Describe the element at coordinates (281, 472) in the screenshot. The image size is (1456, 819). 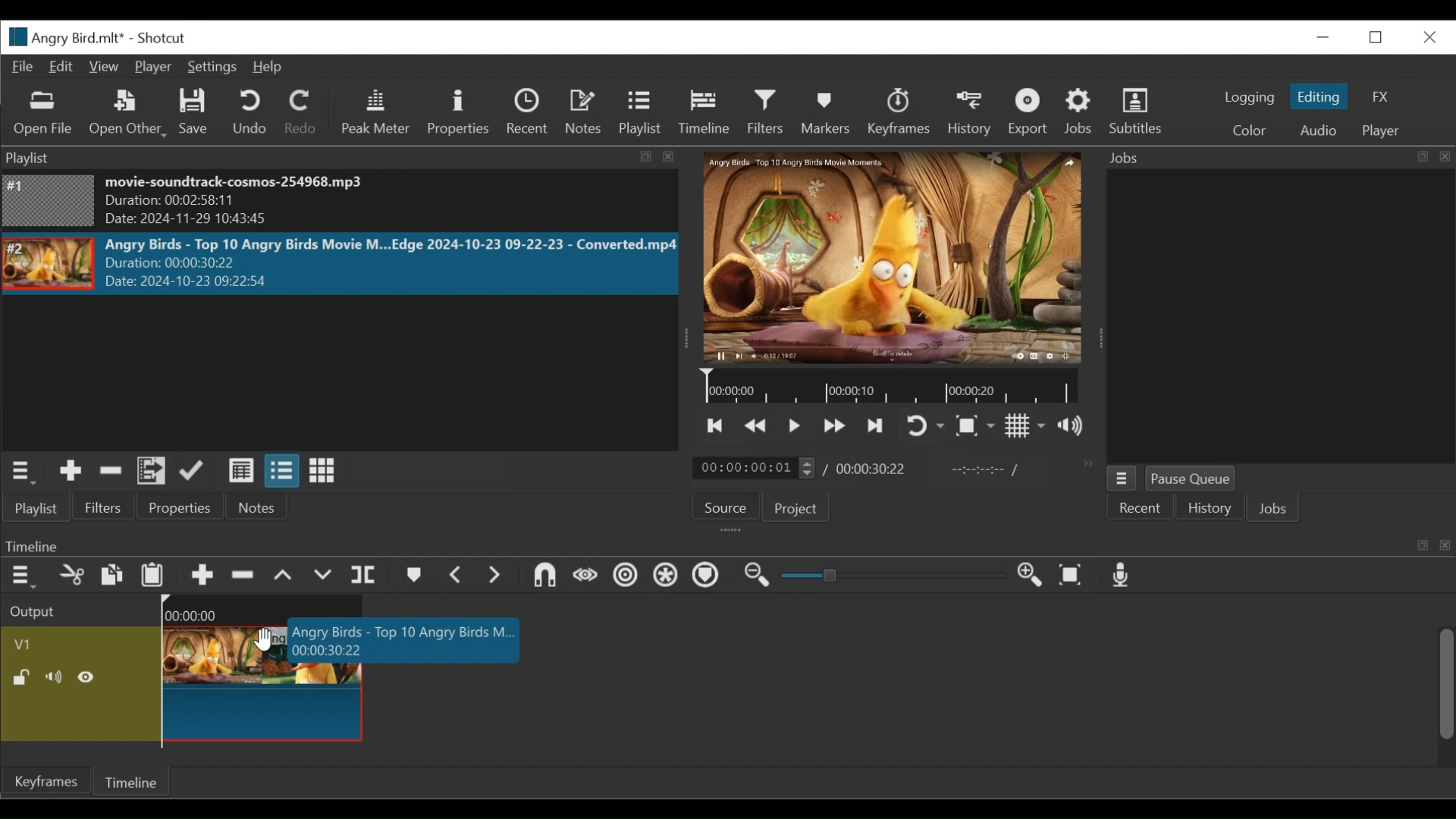
I see `View as files` at that location.